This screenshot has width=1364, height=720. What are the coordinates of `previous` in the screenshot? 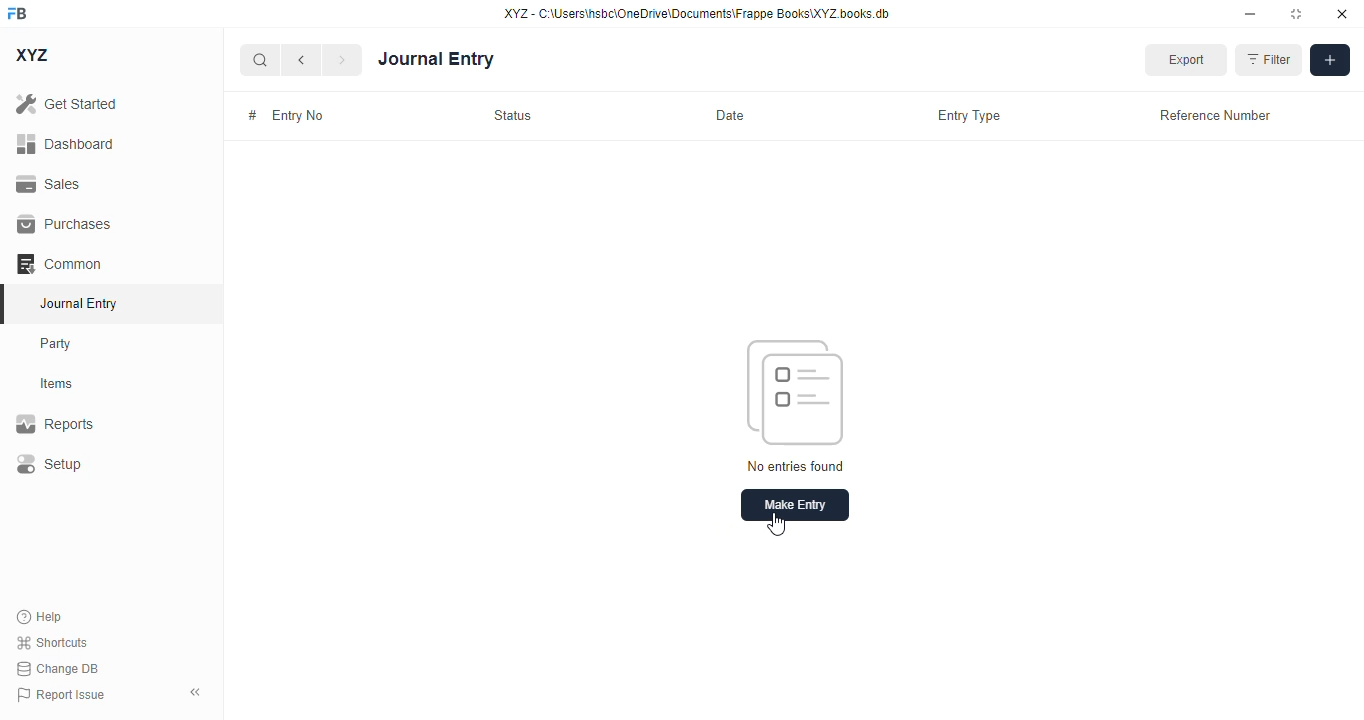 It's located at (301, 60).